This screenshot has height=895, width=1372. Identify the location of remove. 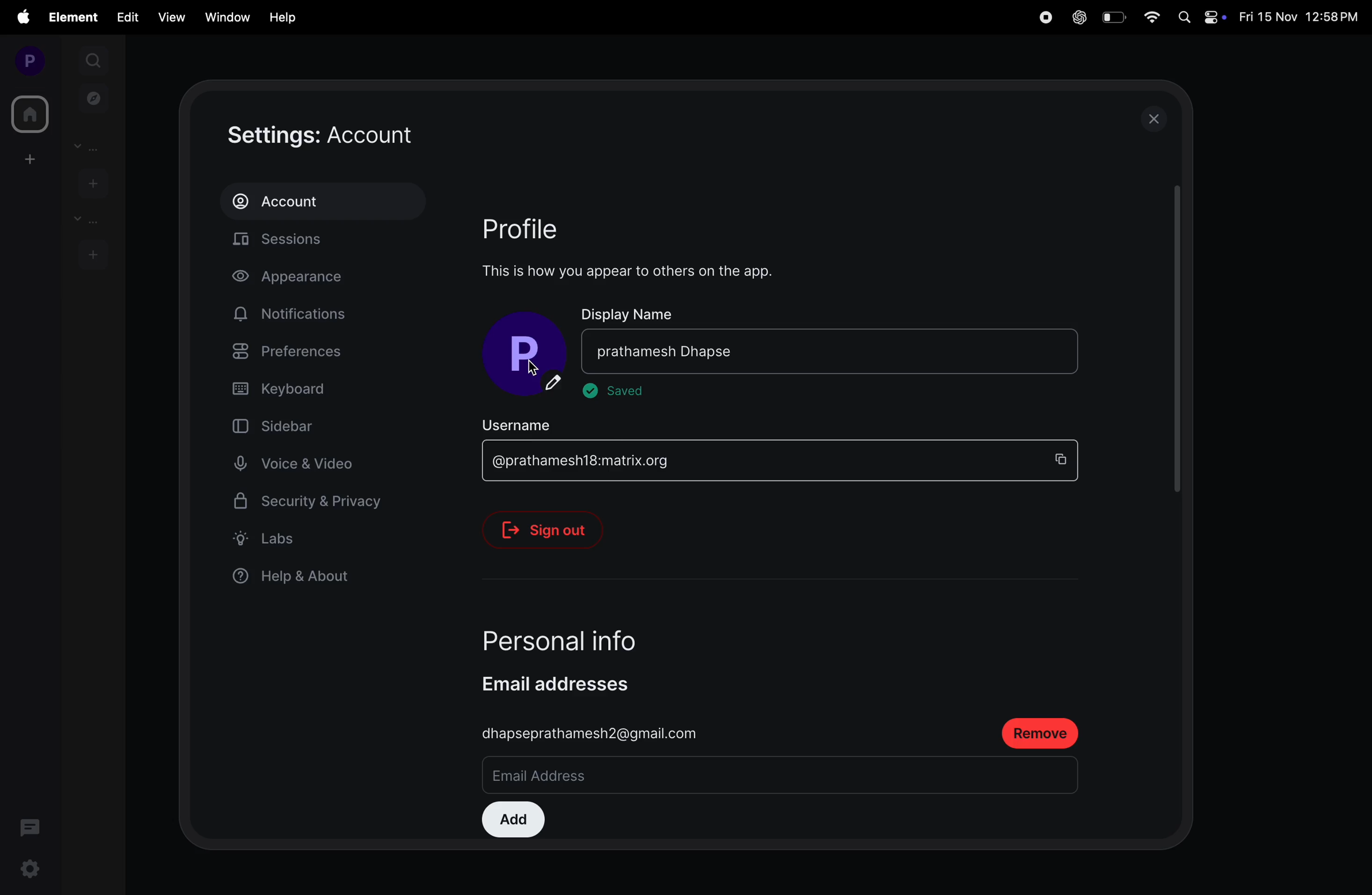
(1043, 729).